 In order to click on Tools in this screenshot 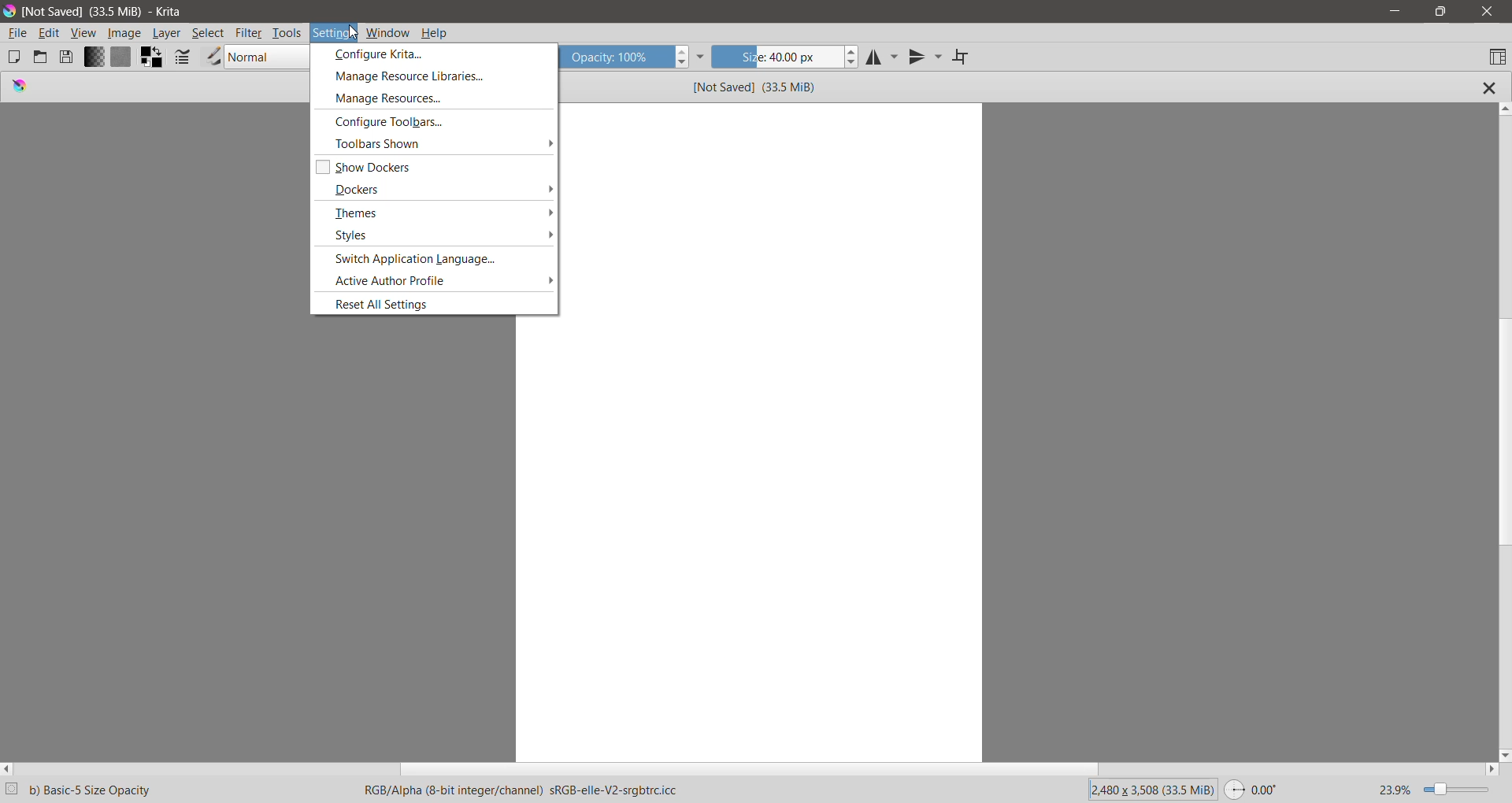, I will do `click(287, 33)`.